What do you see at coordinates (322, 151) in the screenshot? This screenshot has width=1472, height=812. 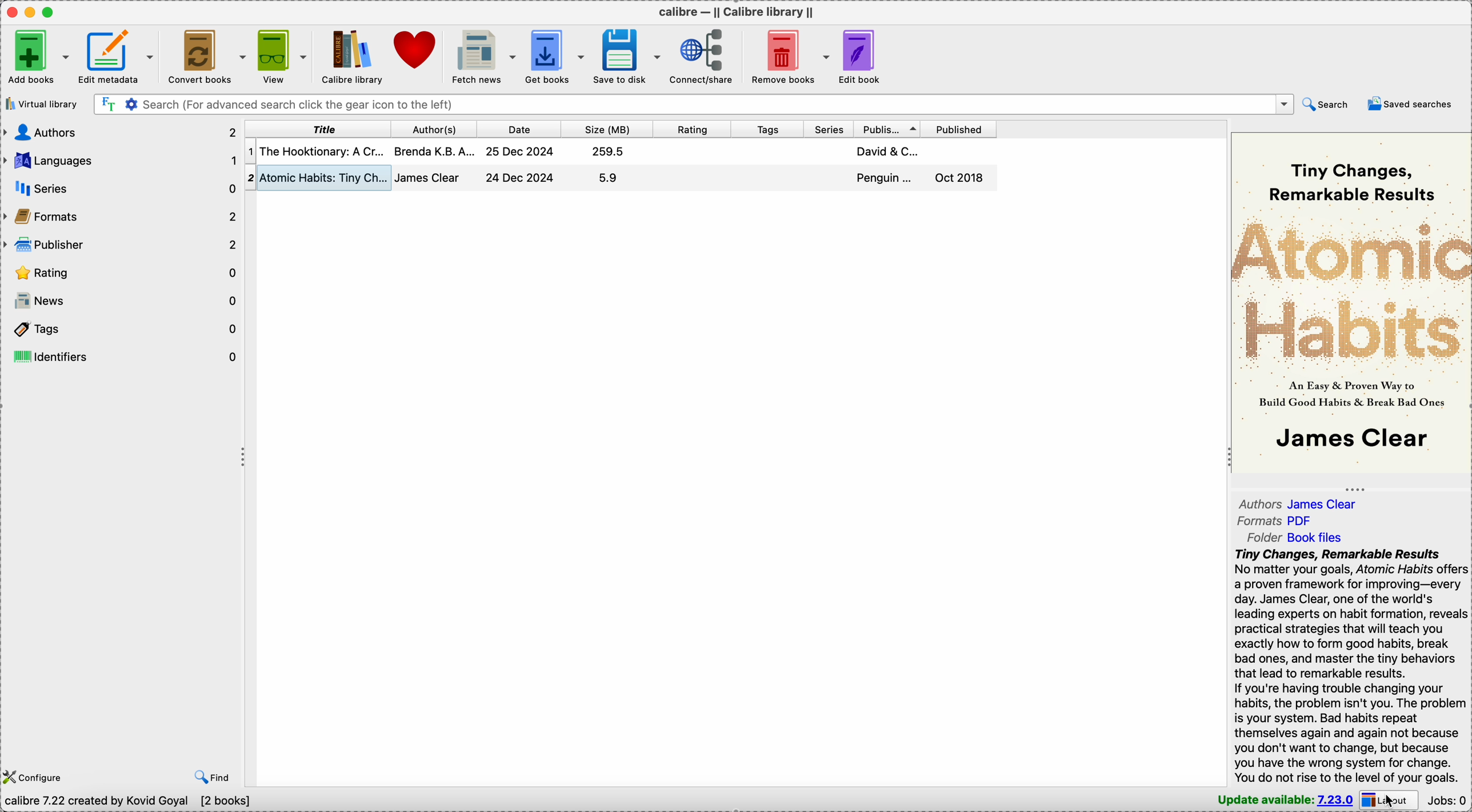 I see `the hooktionary: a cr...` at bounding box center [322, 151].